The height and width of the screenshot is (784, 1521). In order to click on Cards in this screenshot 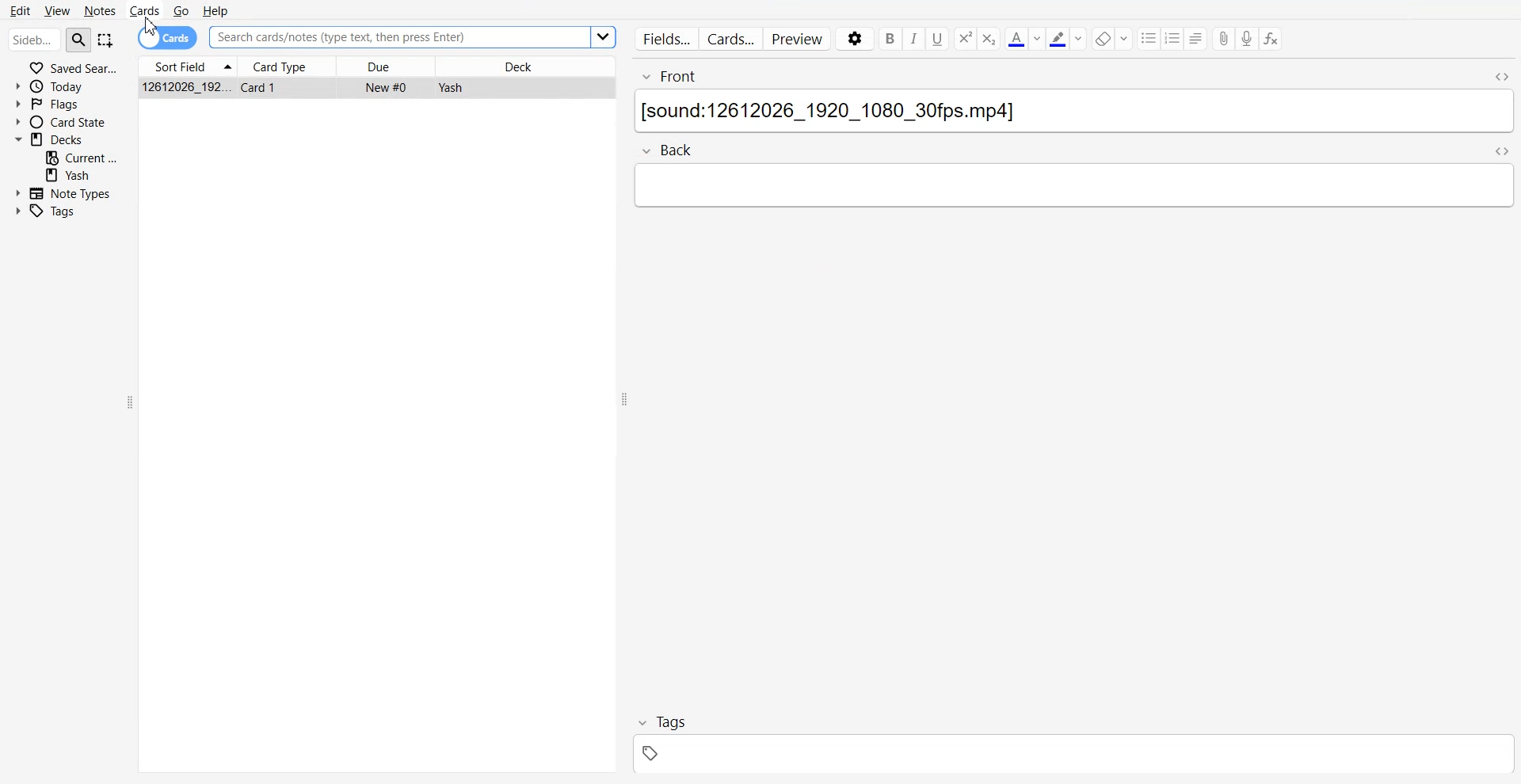, I will do `click(731, 39)`.